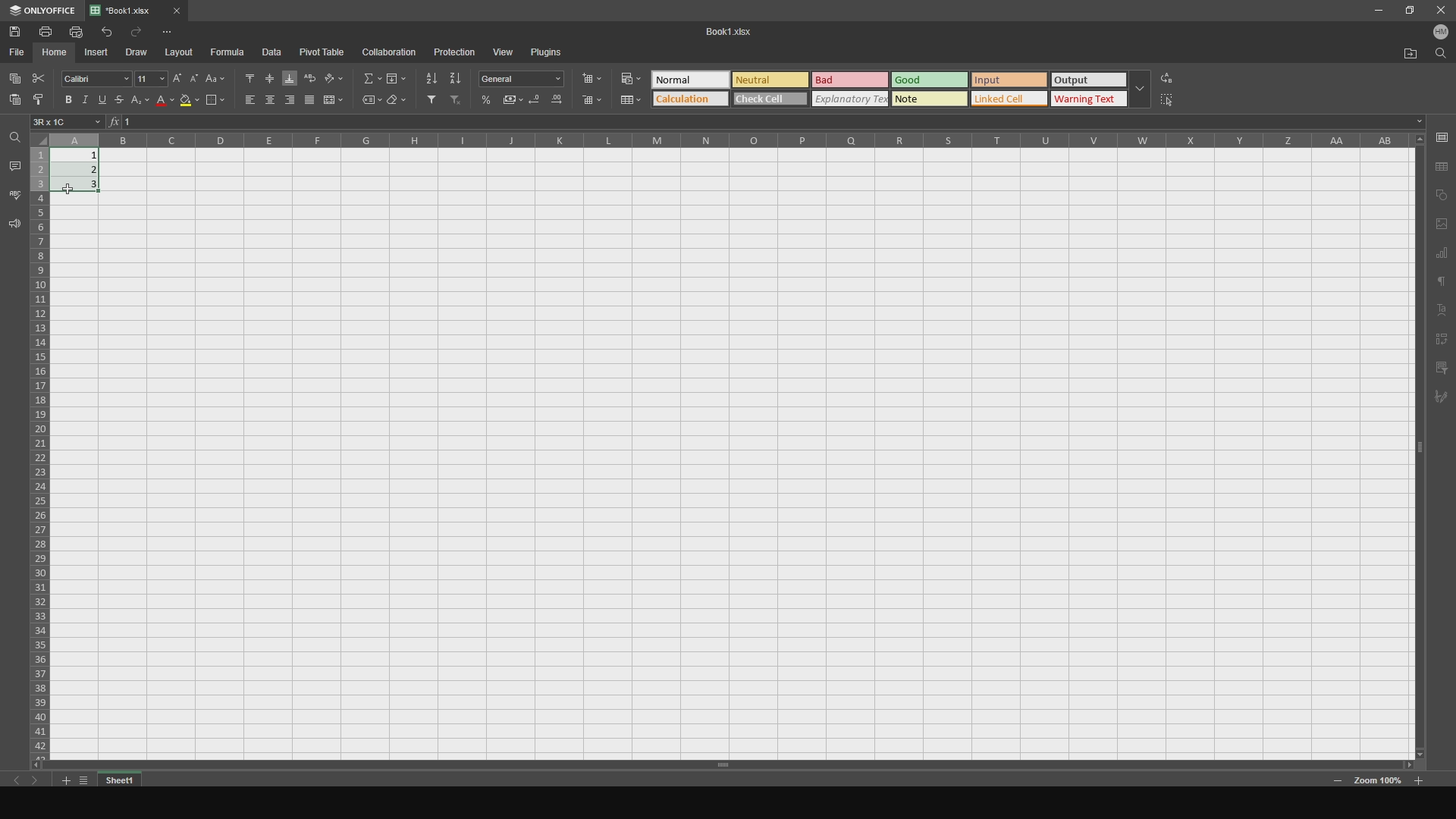 The height and width of the screenshot is (819, 1456). I want to click on deselect filter, so click(460, 103).